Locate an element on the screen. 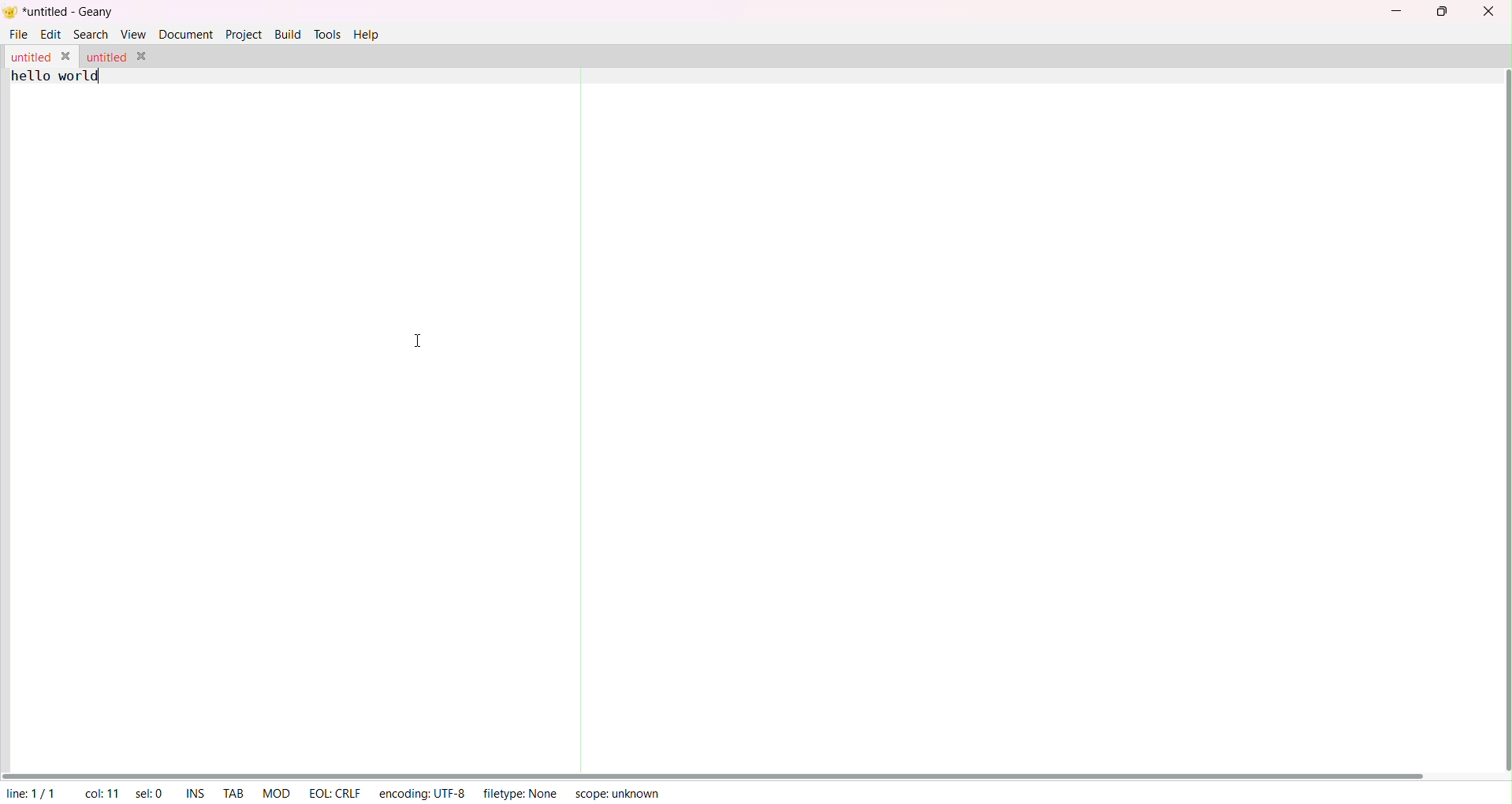  line: 1/1 is located at coordinates (29, 793).